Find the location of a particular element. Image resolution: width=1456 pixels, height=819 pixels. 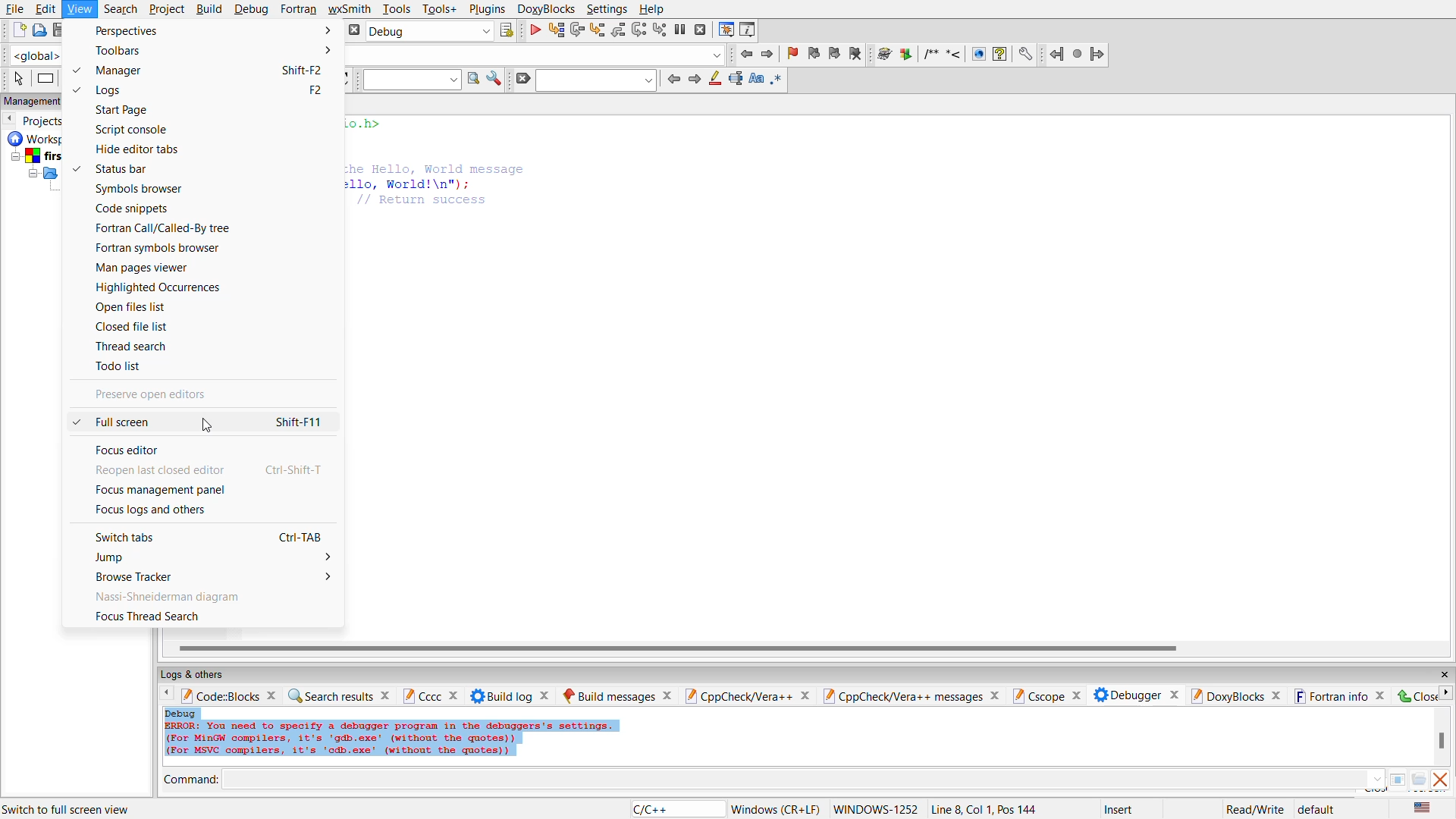

clear is located at coordinates (523, 78).